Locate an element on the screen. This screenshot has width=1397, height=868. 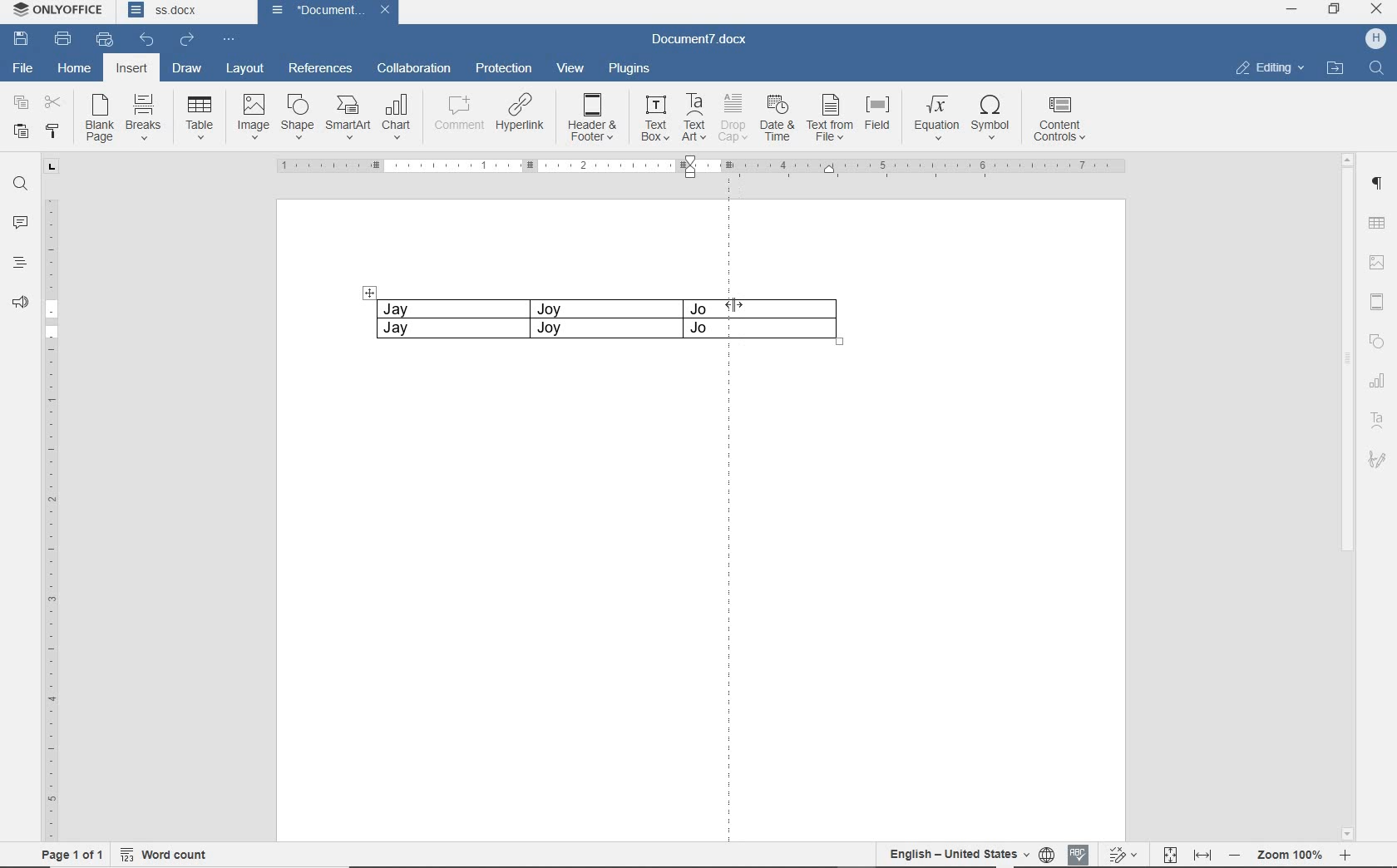
FEEDBACK & SUPPORT is located at coordinates (20, 302).